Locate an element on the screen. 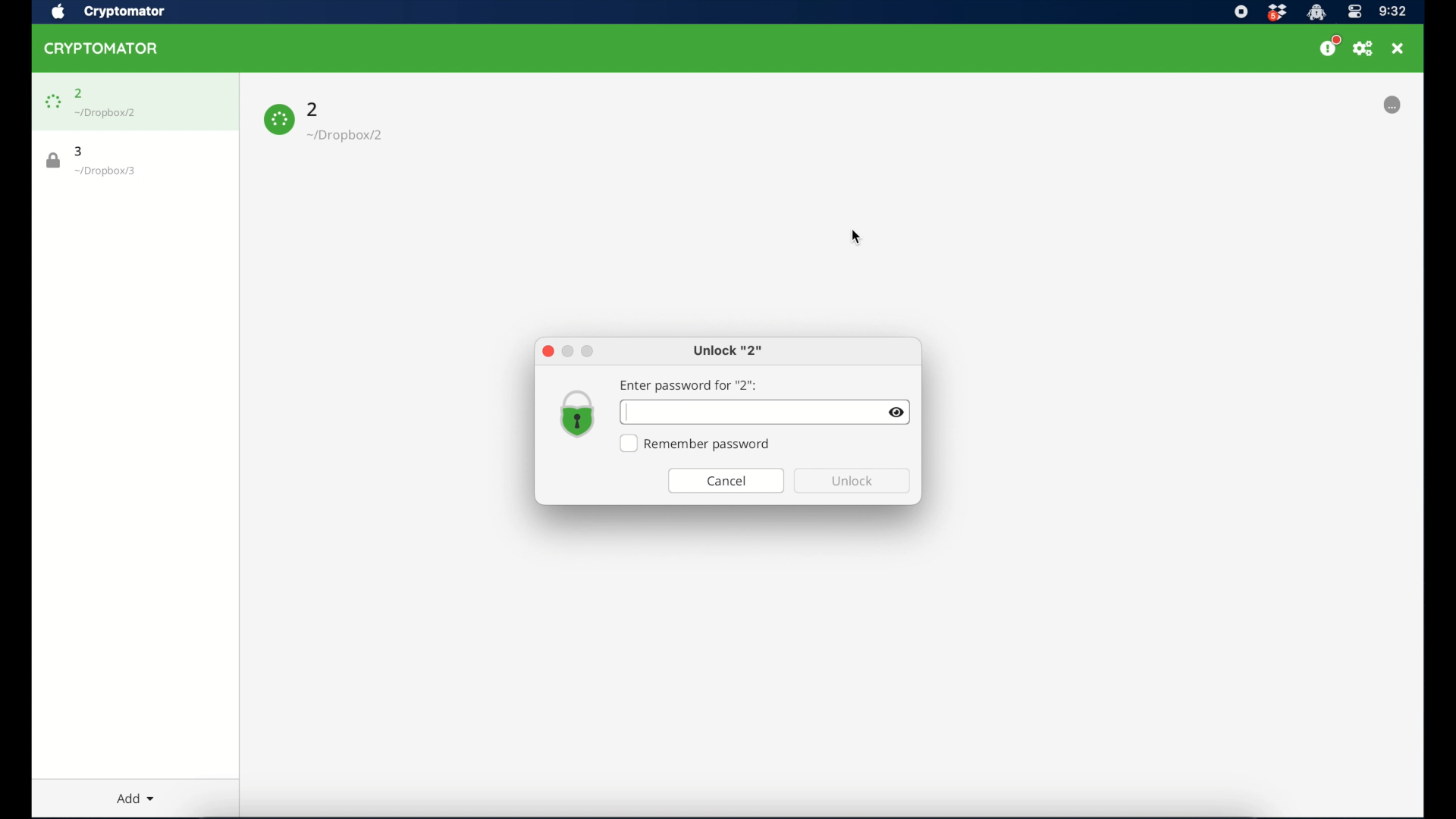  Add dropdown is located at coordinates (136, 795).